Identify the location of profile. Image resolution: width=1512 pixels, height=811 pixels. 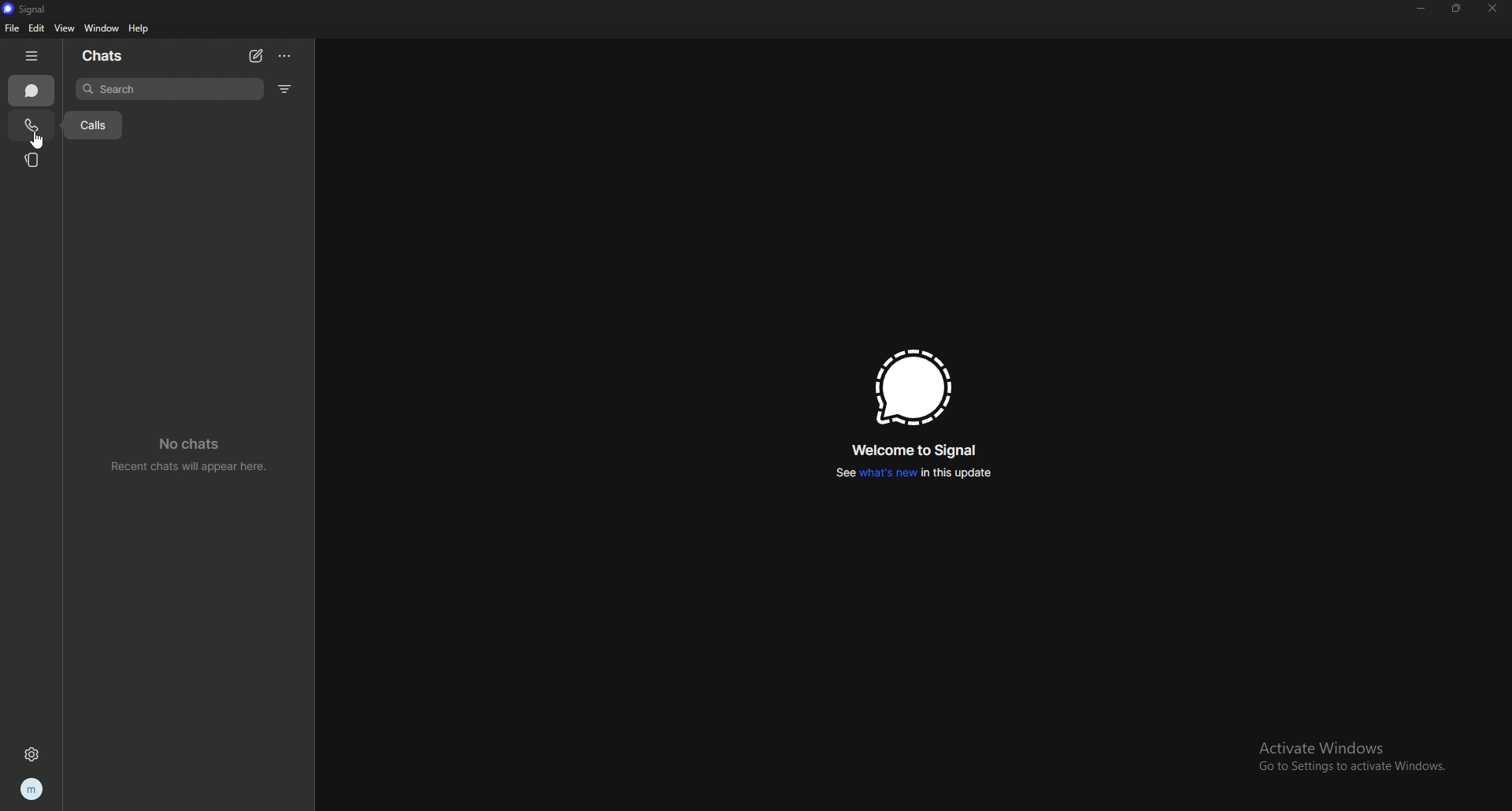
(31, 790).